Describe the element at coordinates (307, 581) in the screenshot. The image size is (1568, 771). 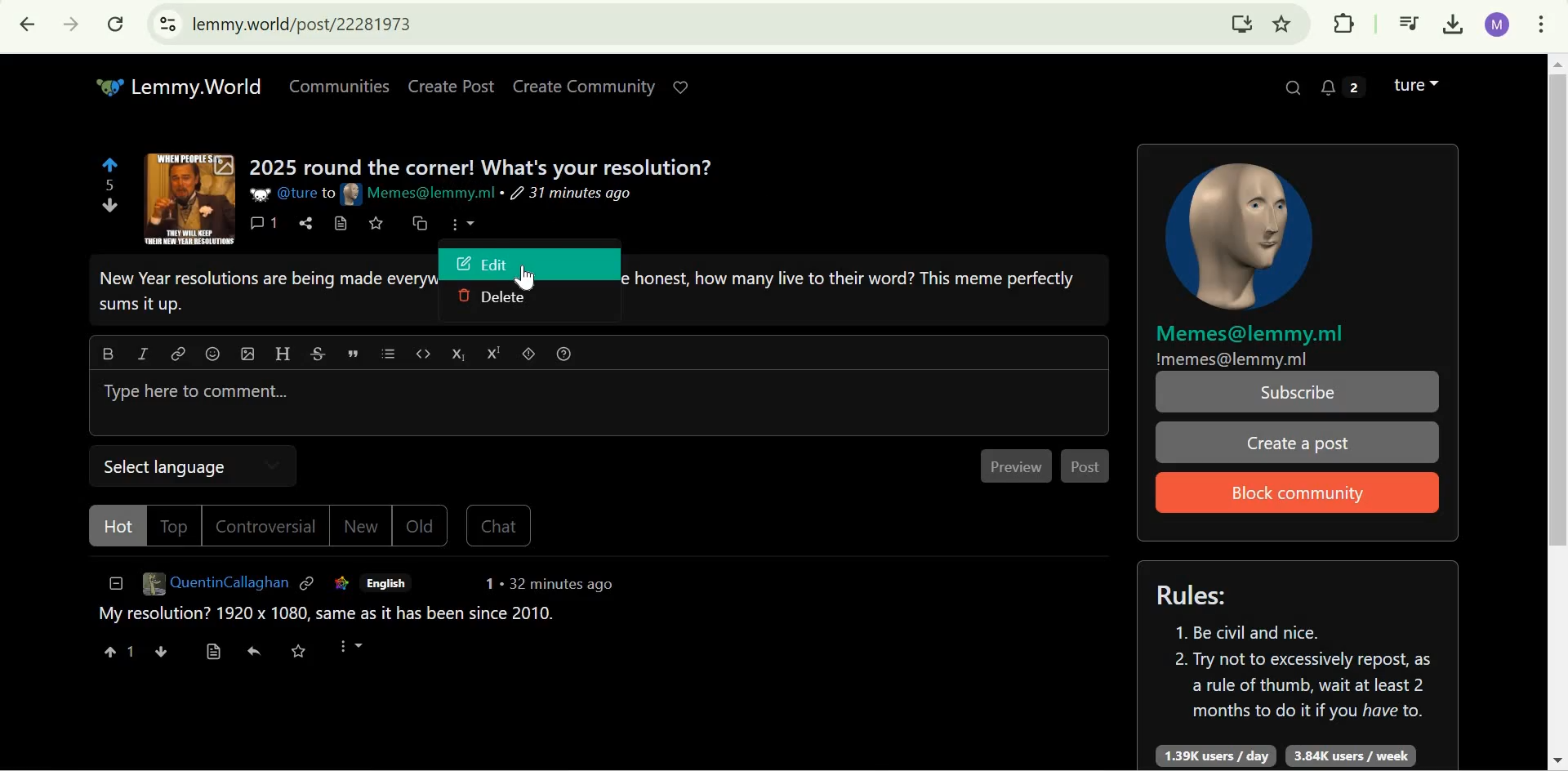
I see `link` at that location.